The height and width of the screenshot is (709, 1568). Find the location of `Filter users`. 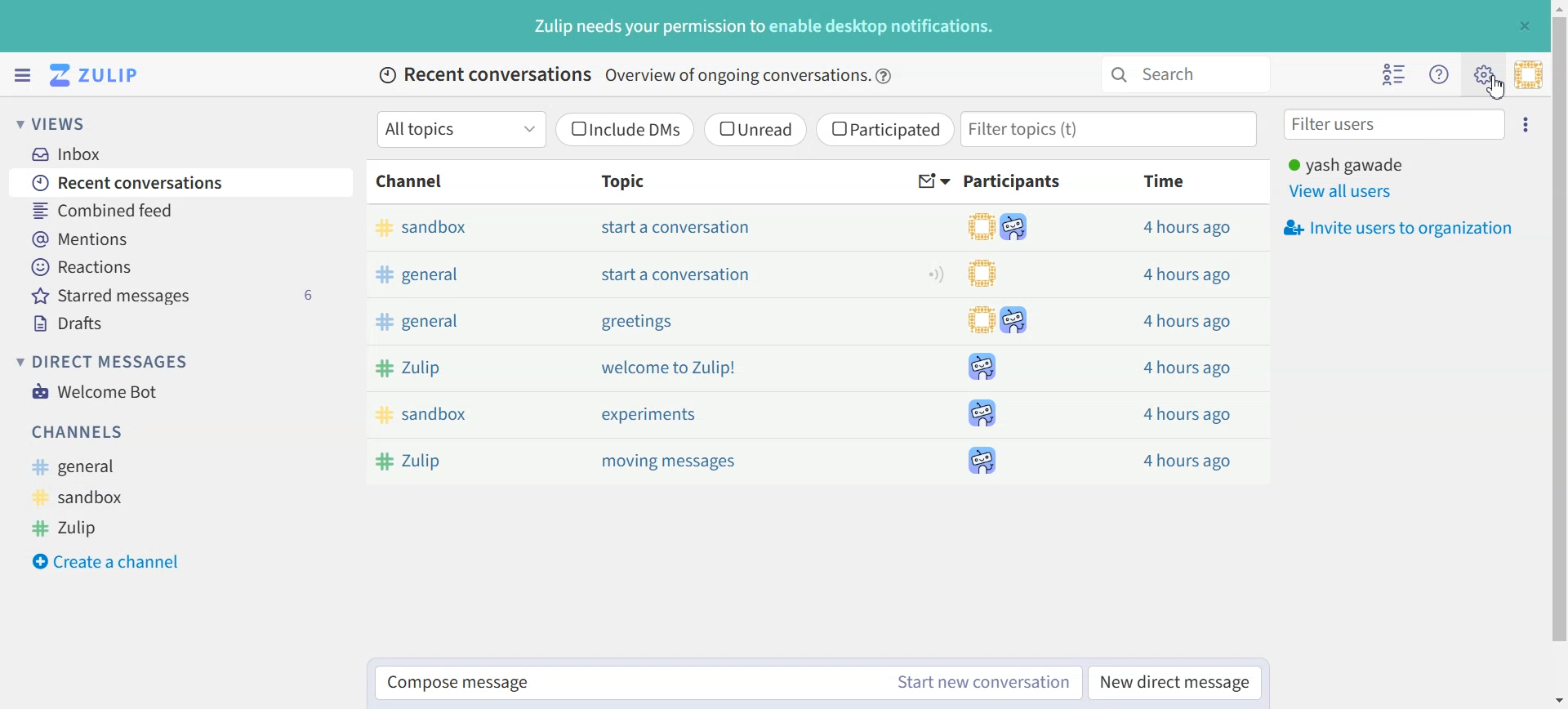

Filter users is located at coordinates (1395, 123).